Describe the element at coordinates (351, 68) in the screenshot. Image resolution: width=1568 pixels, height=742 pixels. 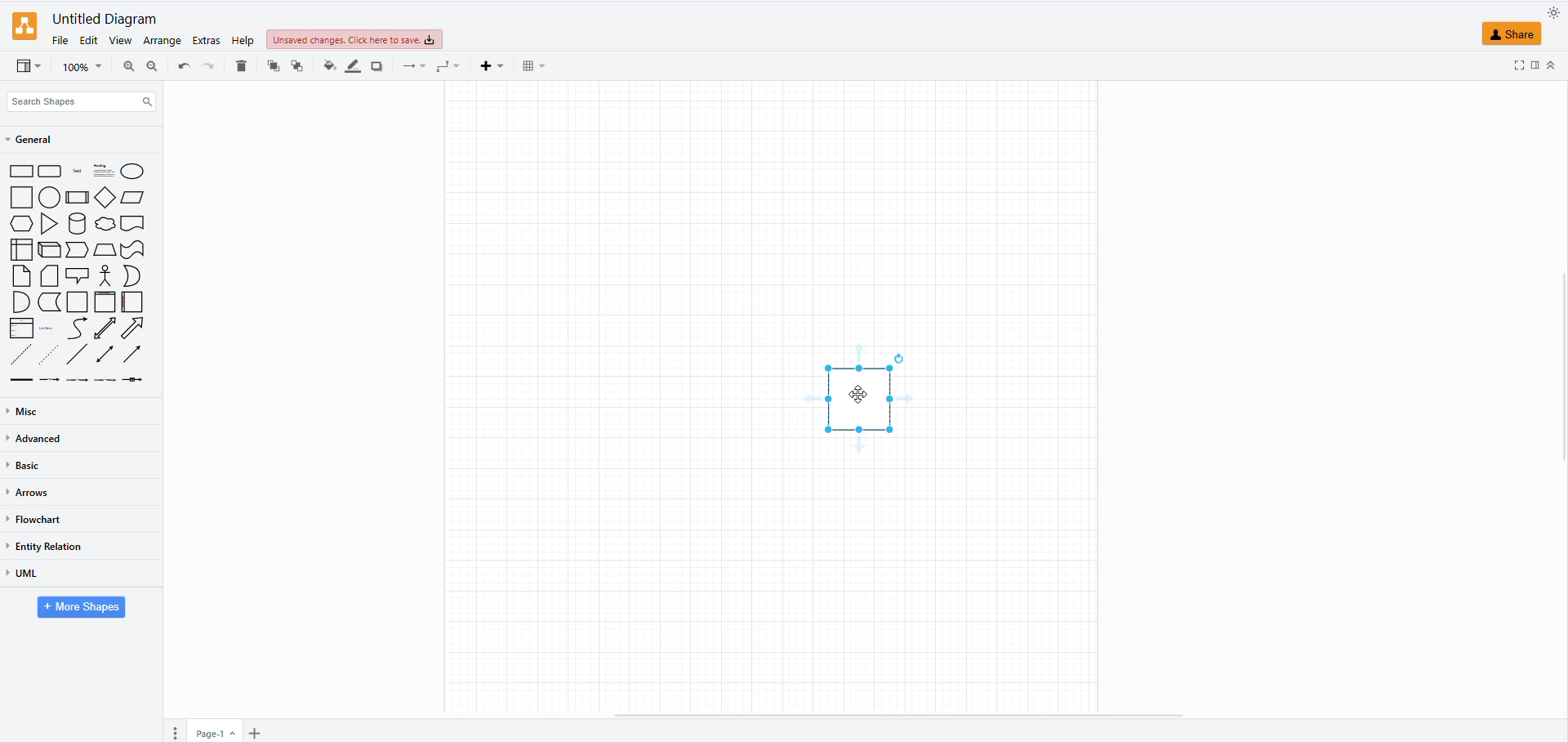
I see `line color` at that location.